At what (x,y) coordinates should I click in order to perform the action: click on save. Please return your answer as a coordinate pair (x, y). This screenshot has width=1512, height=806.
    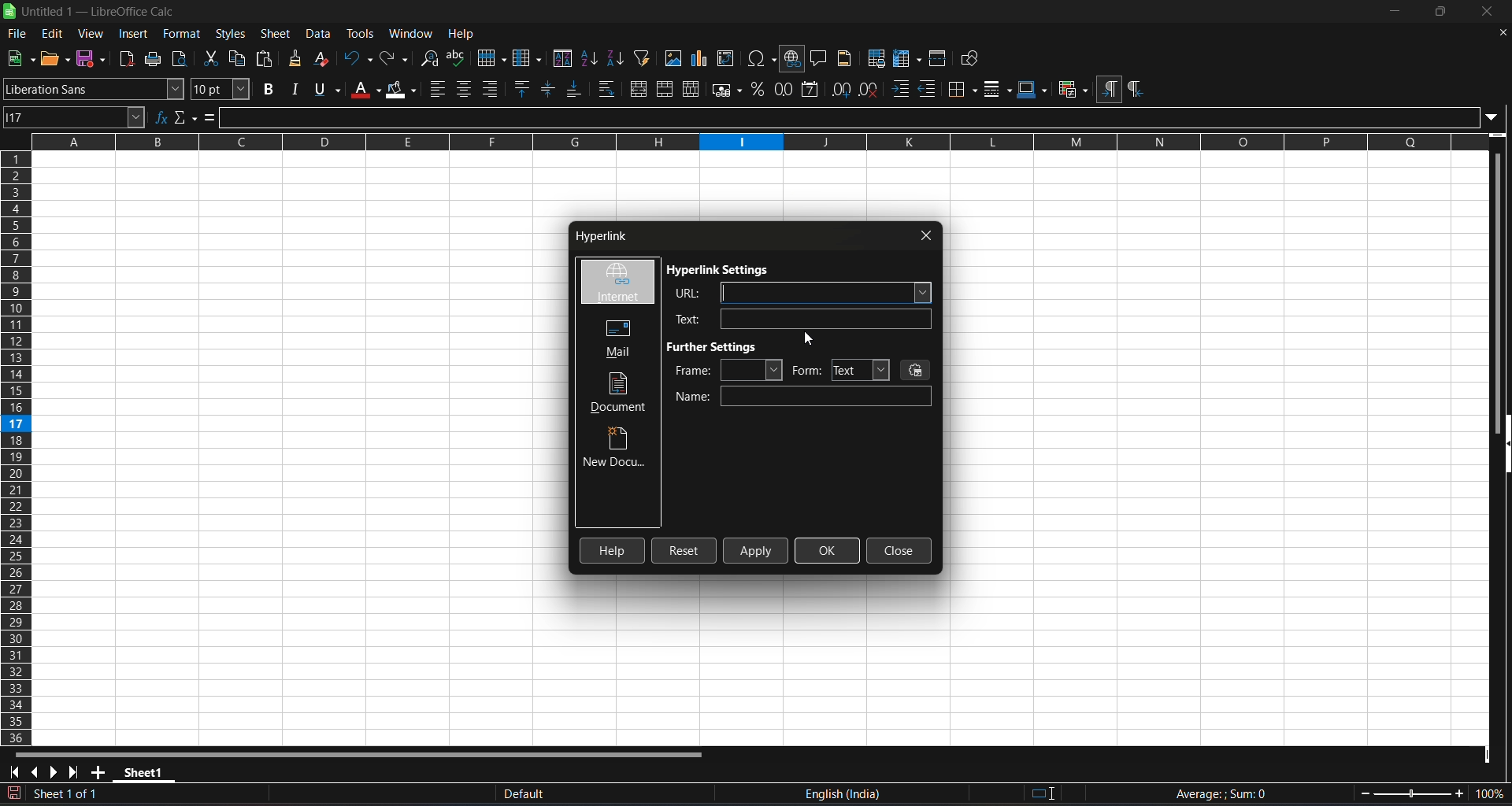
    Looking at the image, I should click on (92, 59).